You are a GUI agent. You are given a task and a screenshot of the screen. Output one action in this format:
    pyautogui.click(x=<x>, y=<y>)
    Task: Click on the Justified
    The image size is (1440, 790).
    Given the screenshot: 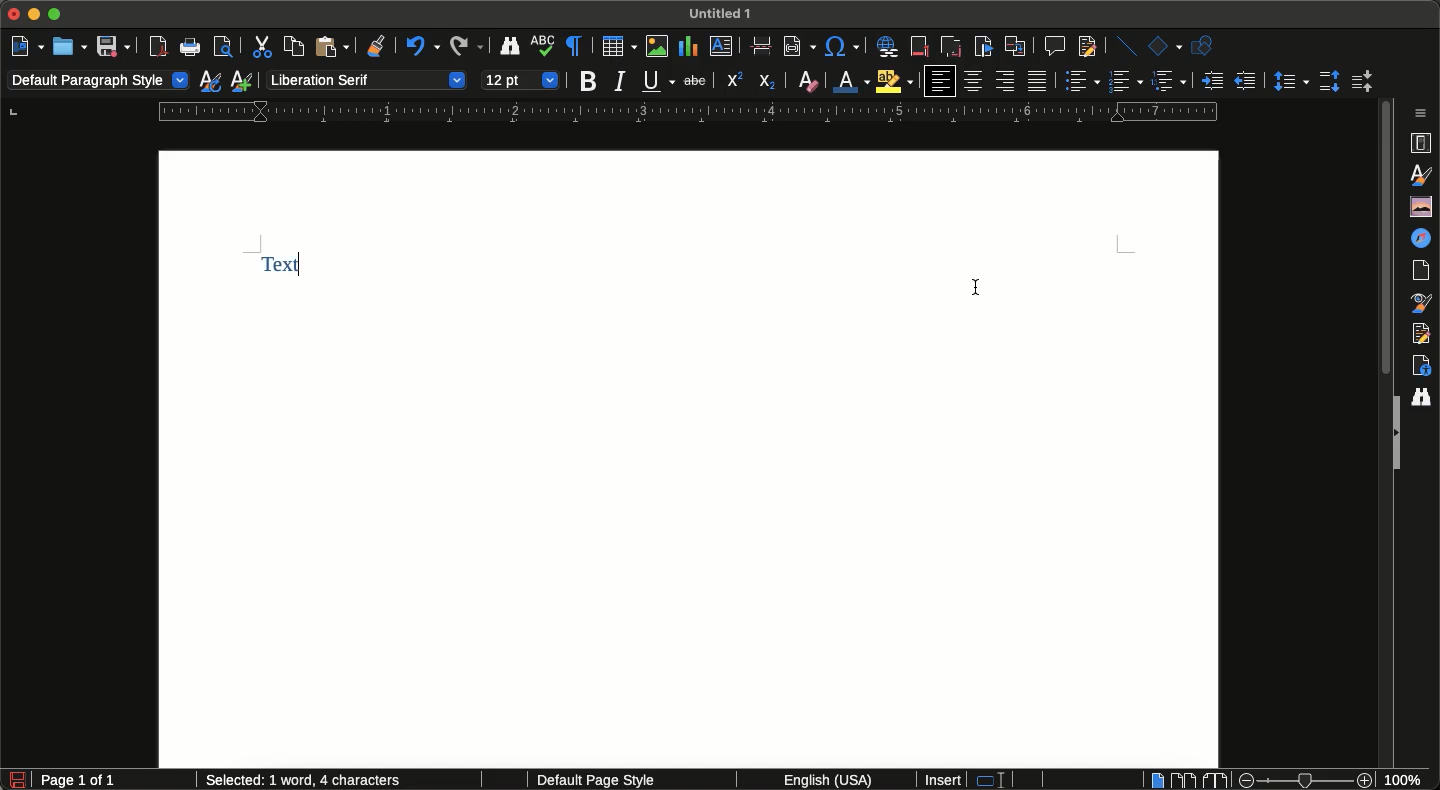 What is the action you would take?
    pyautogui.click(x=1039, y=81)
    